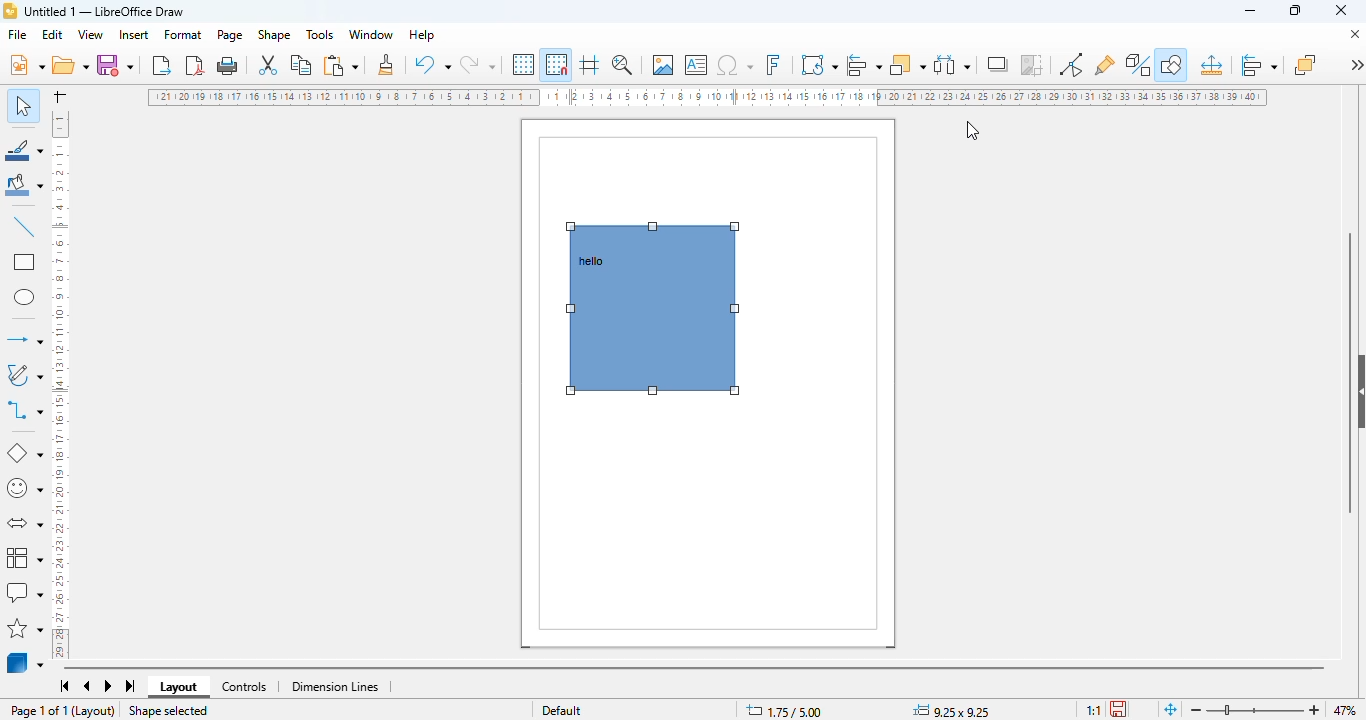 The image size is (1366, 720). What do you see at coordinates (1139, 65) in the screenshot?
I see `toggle extrusion` at bounding box center [1139, 65].